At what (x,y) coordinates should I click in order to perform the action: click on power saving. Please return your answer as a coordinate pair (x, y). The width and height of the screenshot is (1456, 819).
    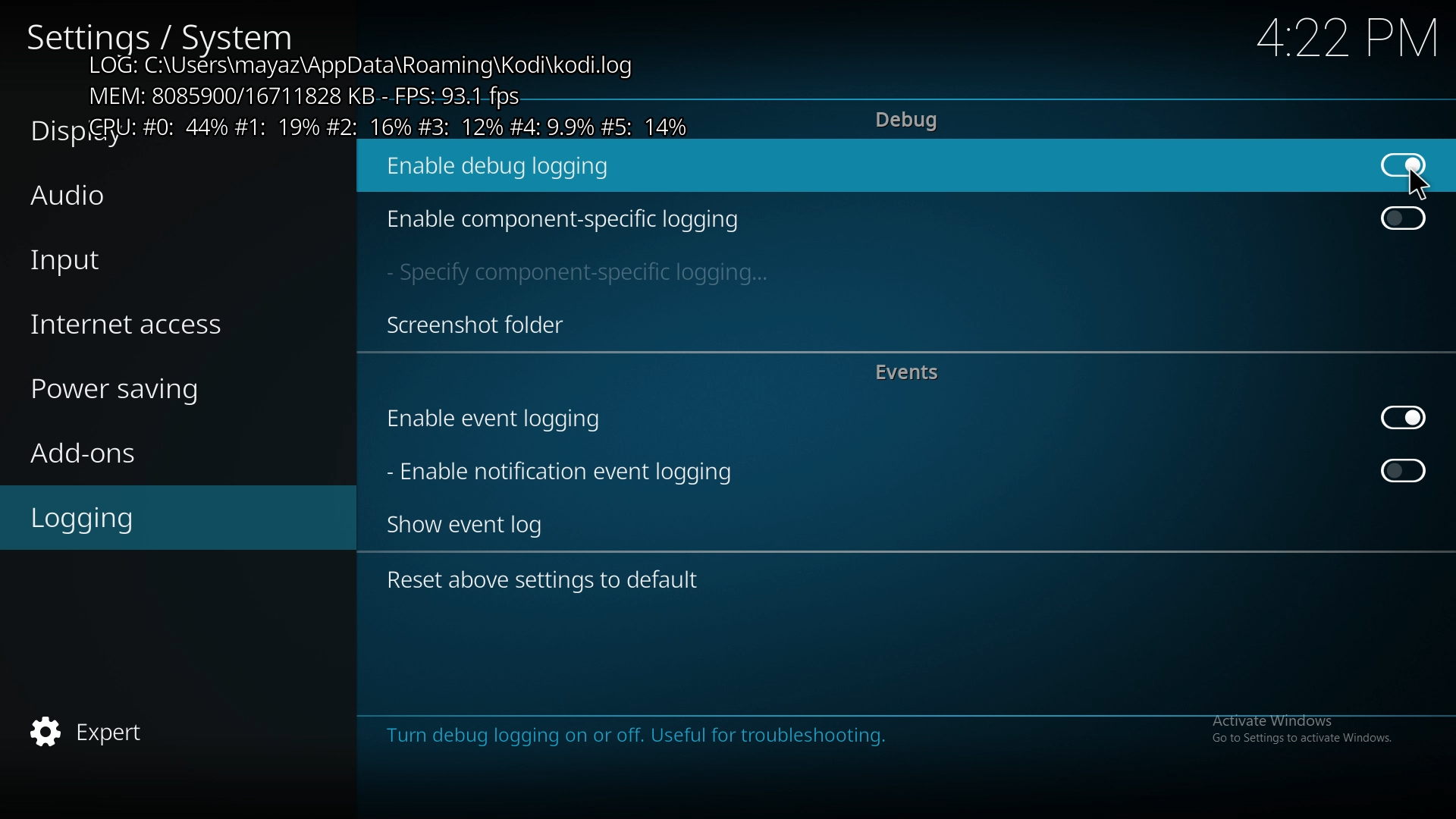
    Looking at the image, I should click on (170, 391).